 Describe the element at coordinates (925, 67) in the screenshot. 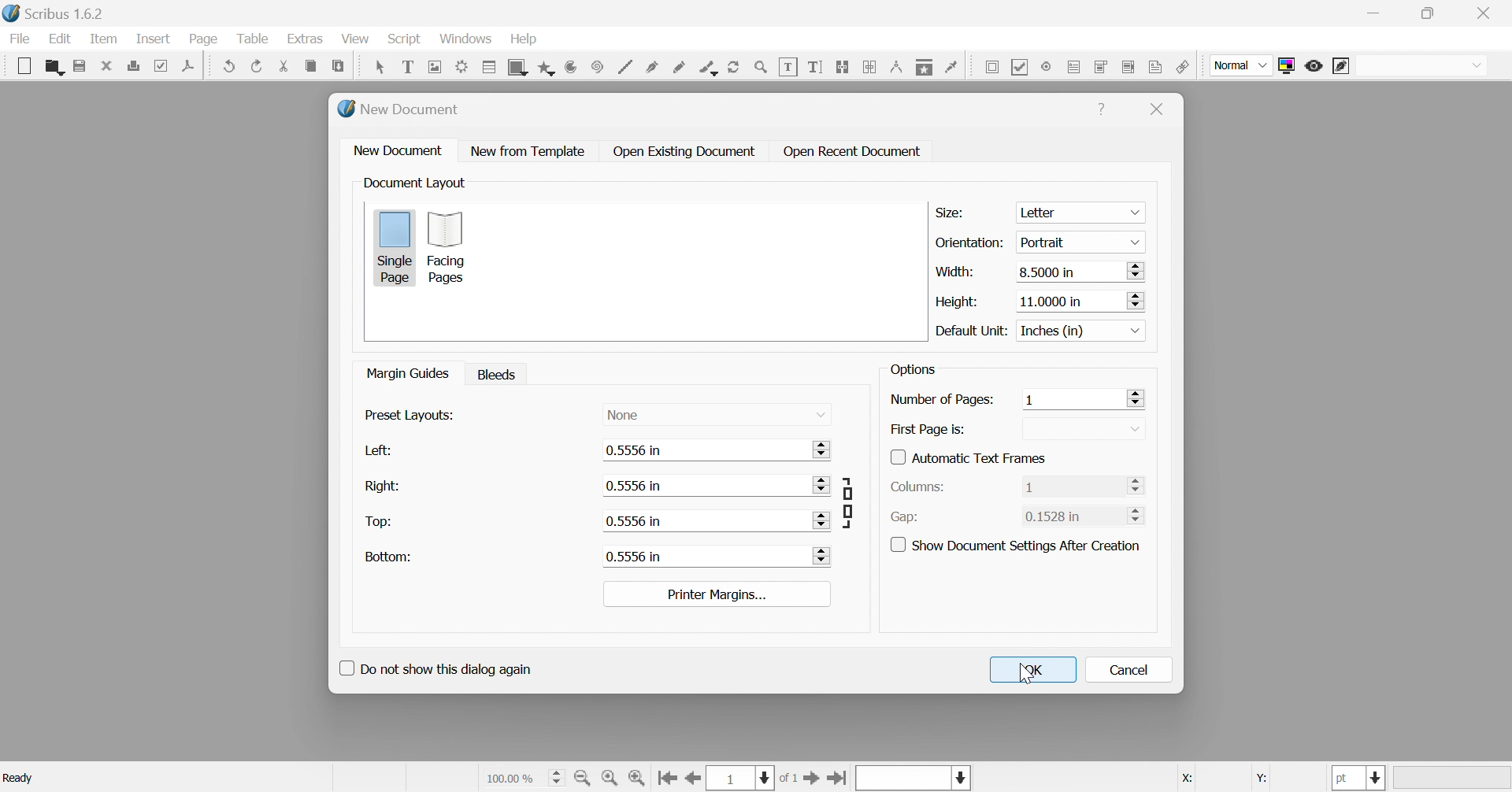

I see `copy item properties` at that location.